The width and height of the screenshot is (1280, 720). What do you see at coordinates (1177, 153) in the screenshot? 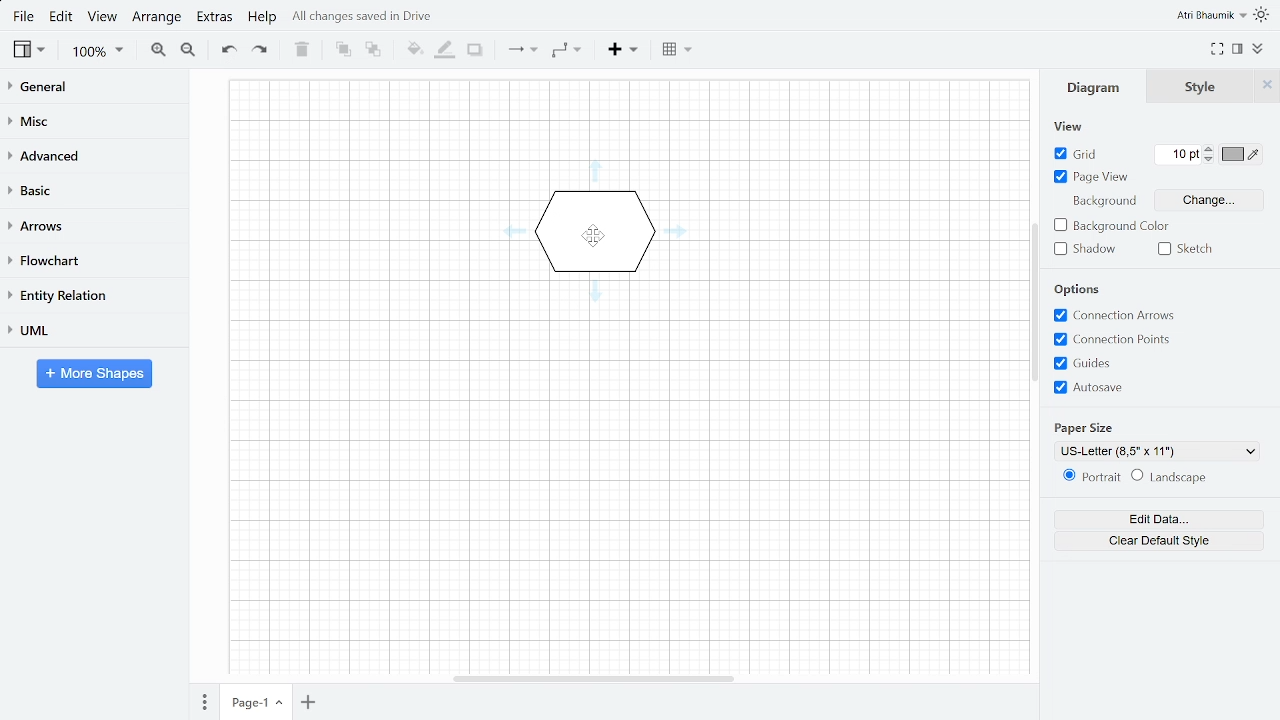
I see `Current grid/Manually input grid point` at bounding box center [1177, 153].